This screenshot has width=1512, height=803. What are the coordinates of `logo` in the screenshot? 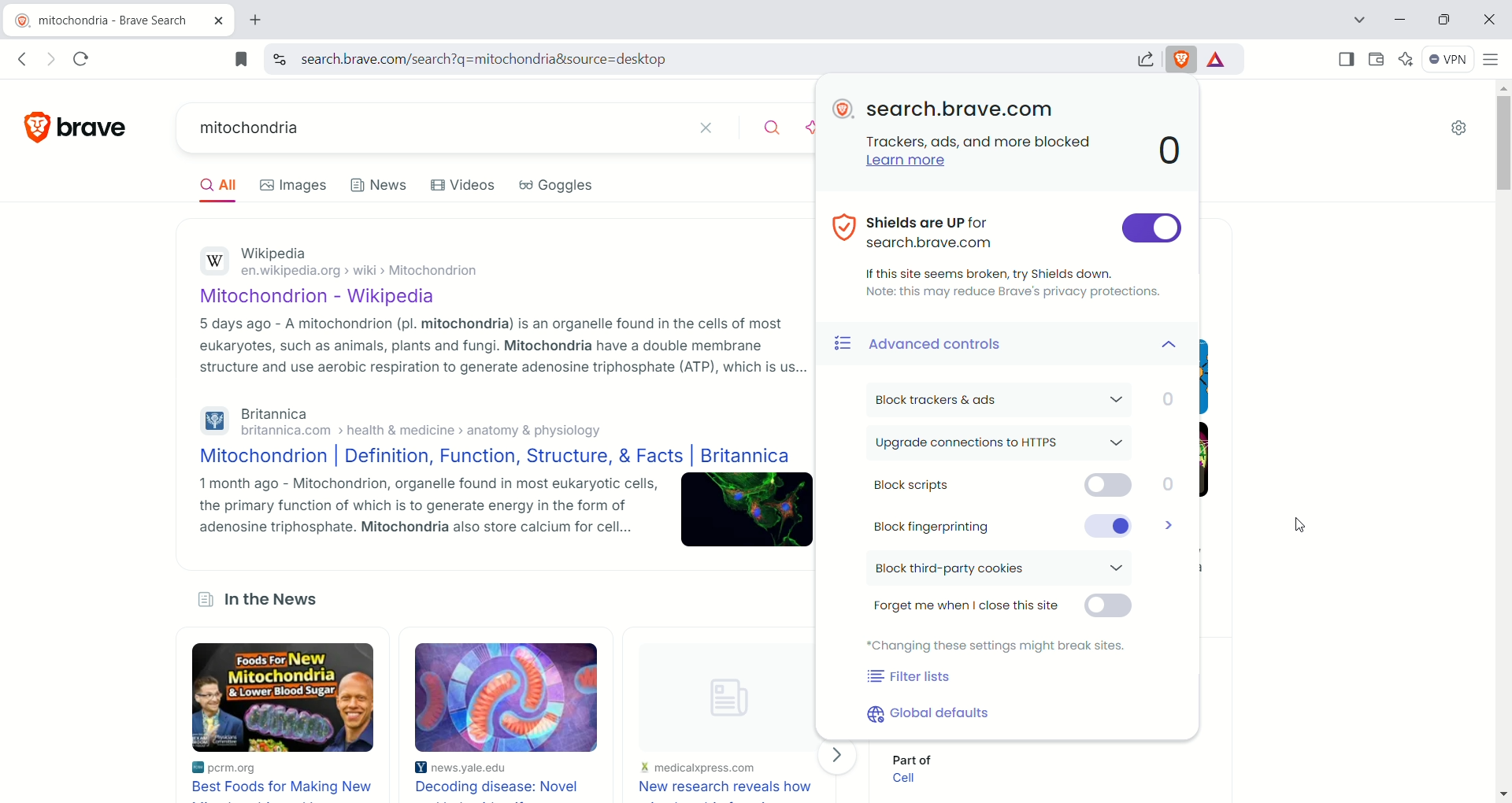 It's located at (31, 128).